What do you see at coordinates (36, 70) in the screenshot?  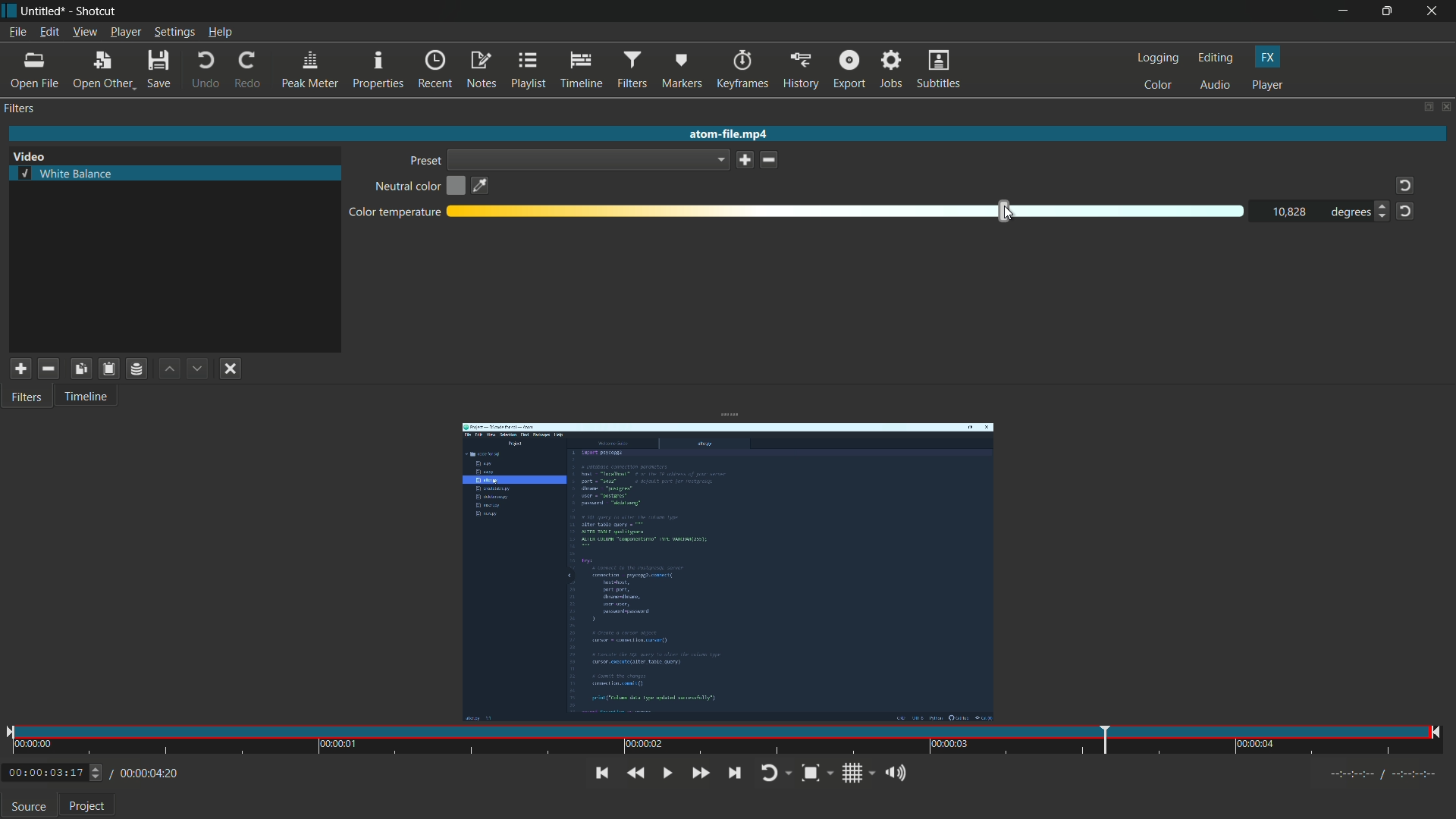 I see `open file` at bounding box center [36, 70].